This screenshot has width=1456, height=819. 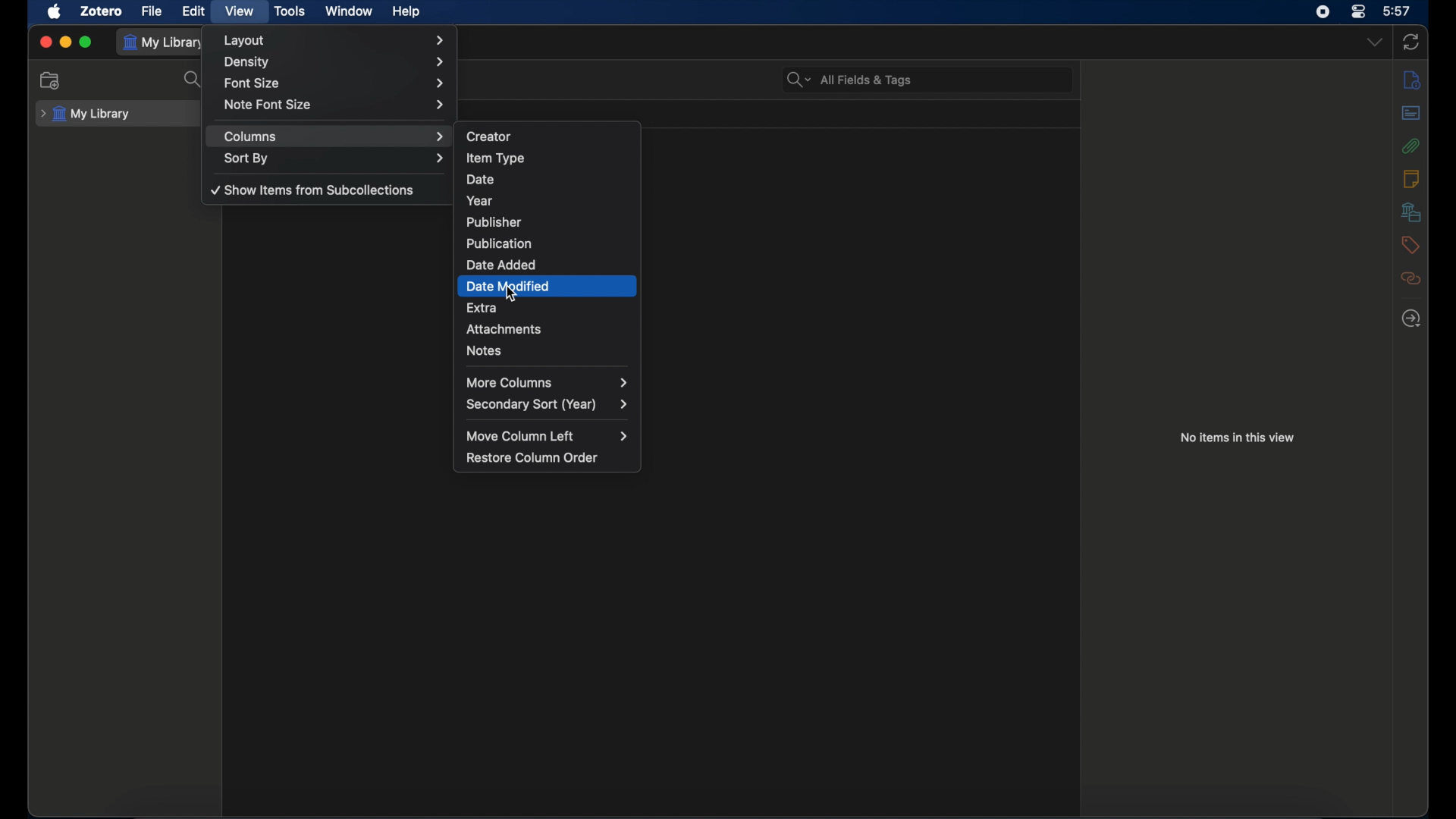 I want to click on sync, so click(x=1412, y=43).